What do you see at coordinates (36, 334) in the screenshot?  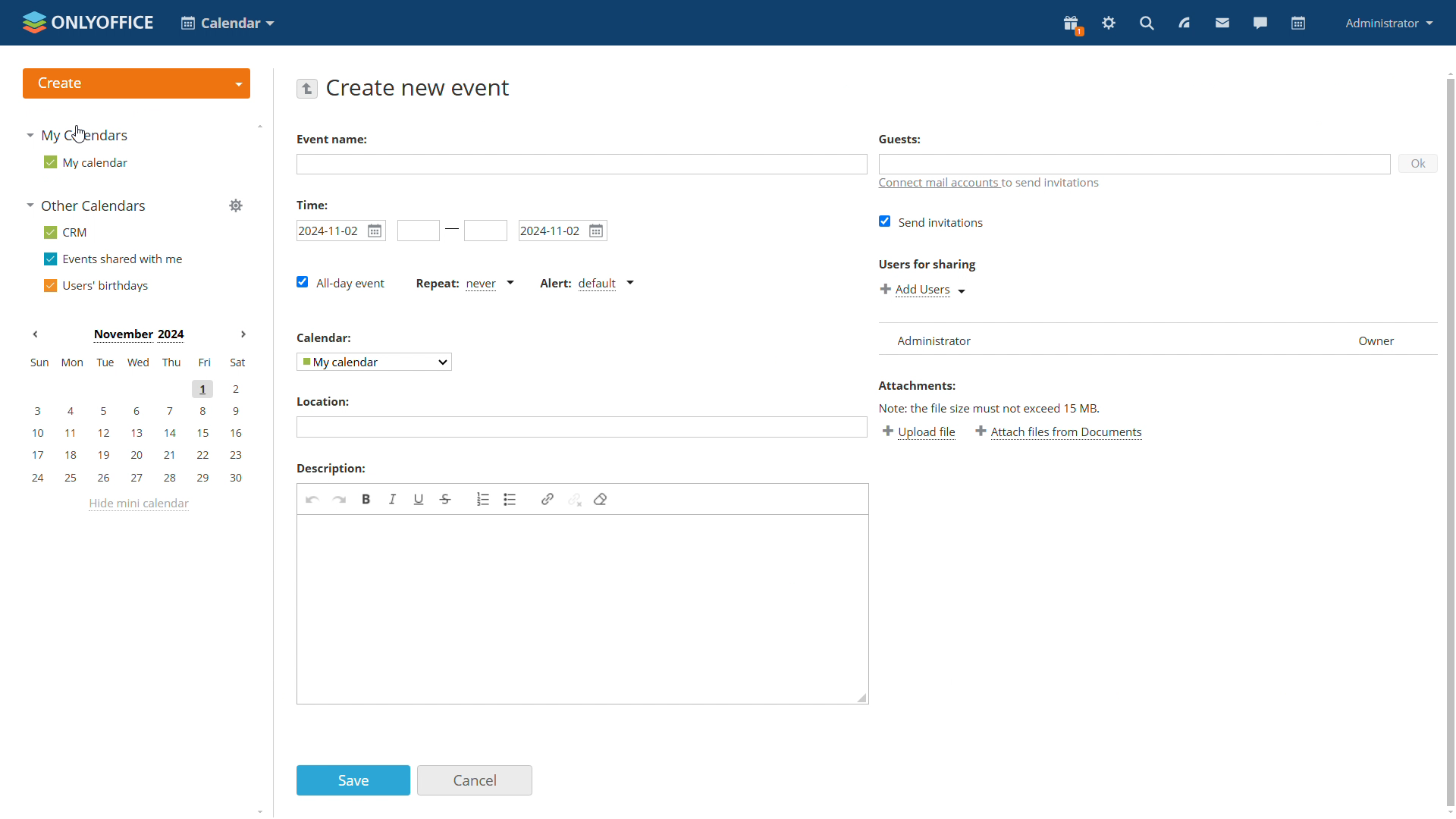 I see `Previous month` at bounding box center [36, 334].